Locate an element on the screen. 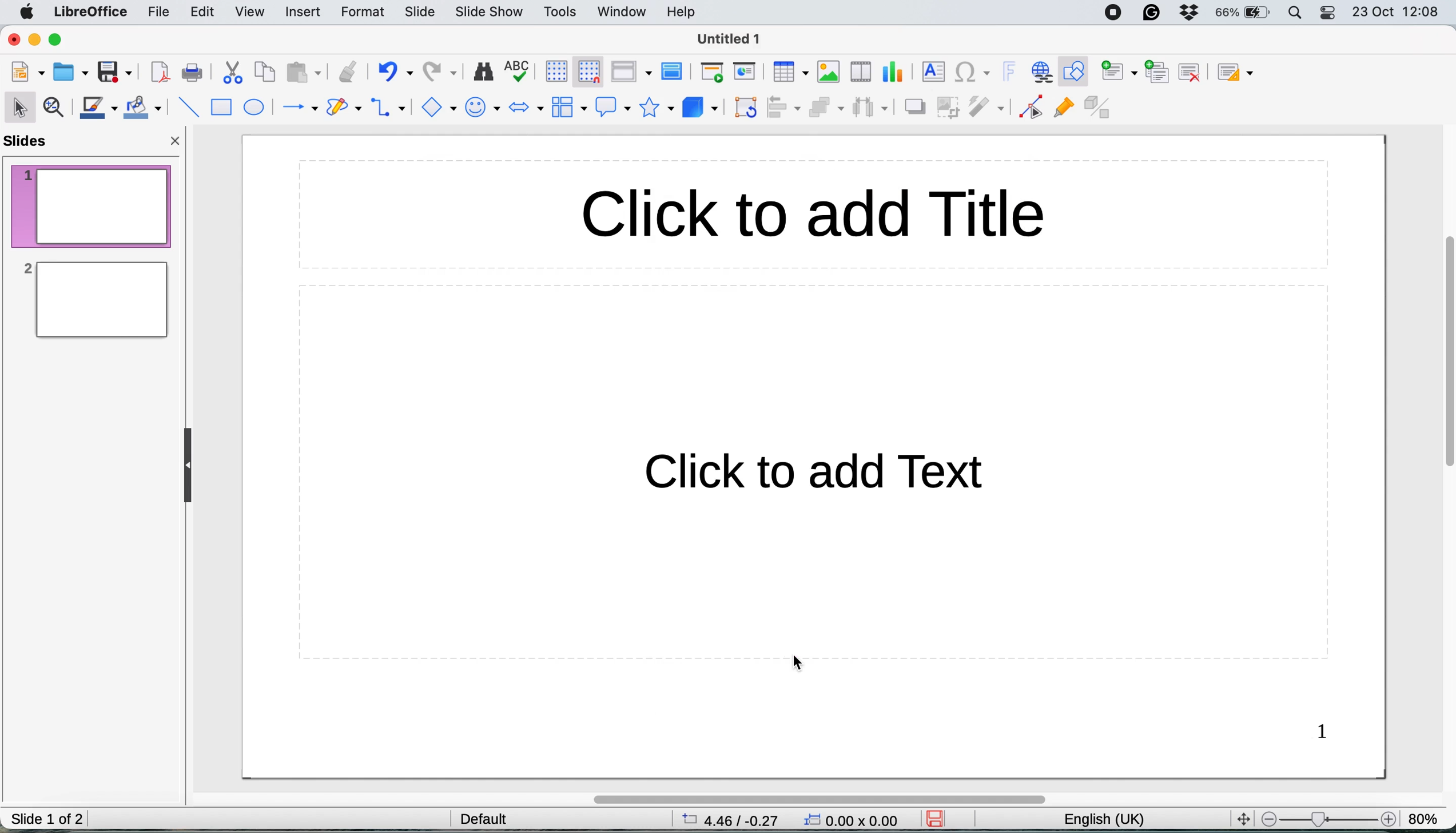 This screenshot has height=833, width=1456. dropbox is located at coordinates (1190, 14).